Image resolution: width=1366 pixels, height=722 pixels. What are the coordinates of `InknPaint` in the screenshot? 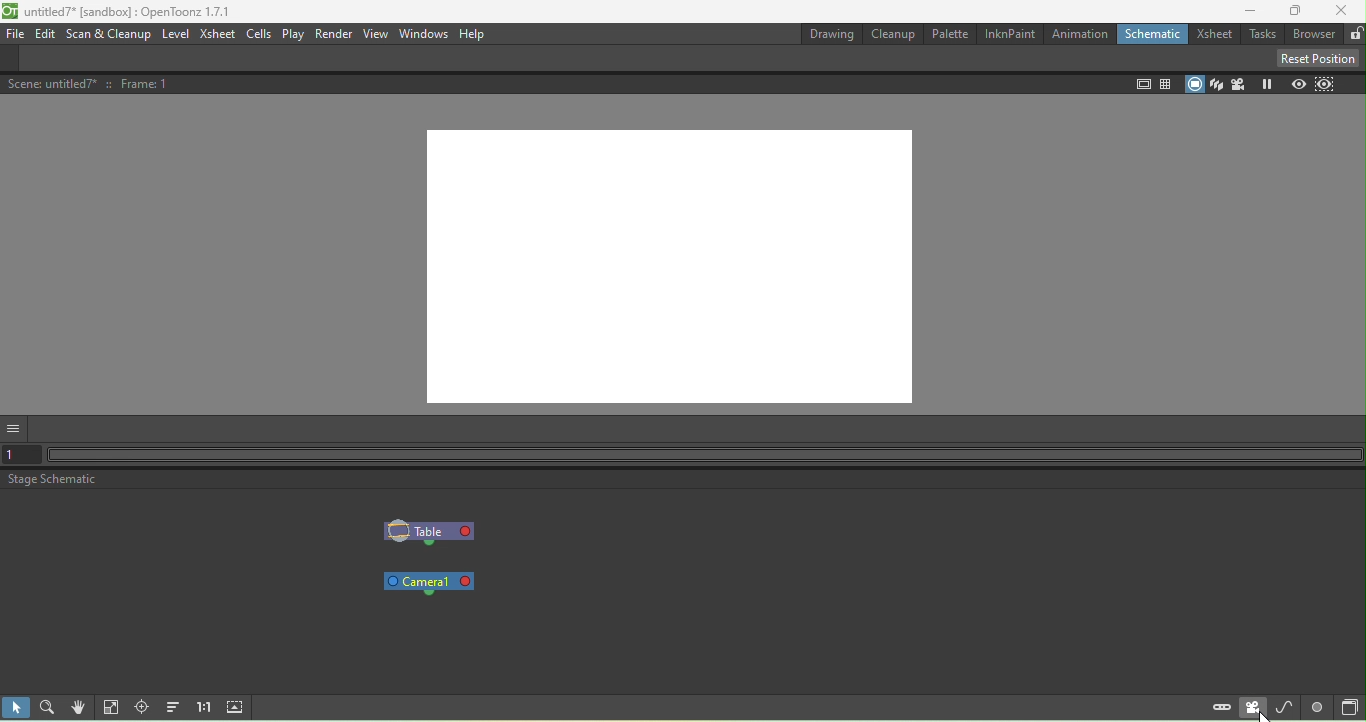 It's located at (1009, 35).